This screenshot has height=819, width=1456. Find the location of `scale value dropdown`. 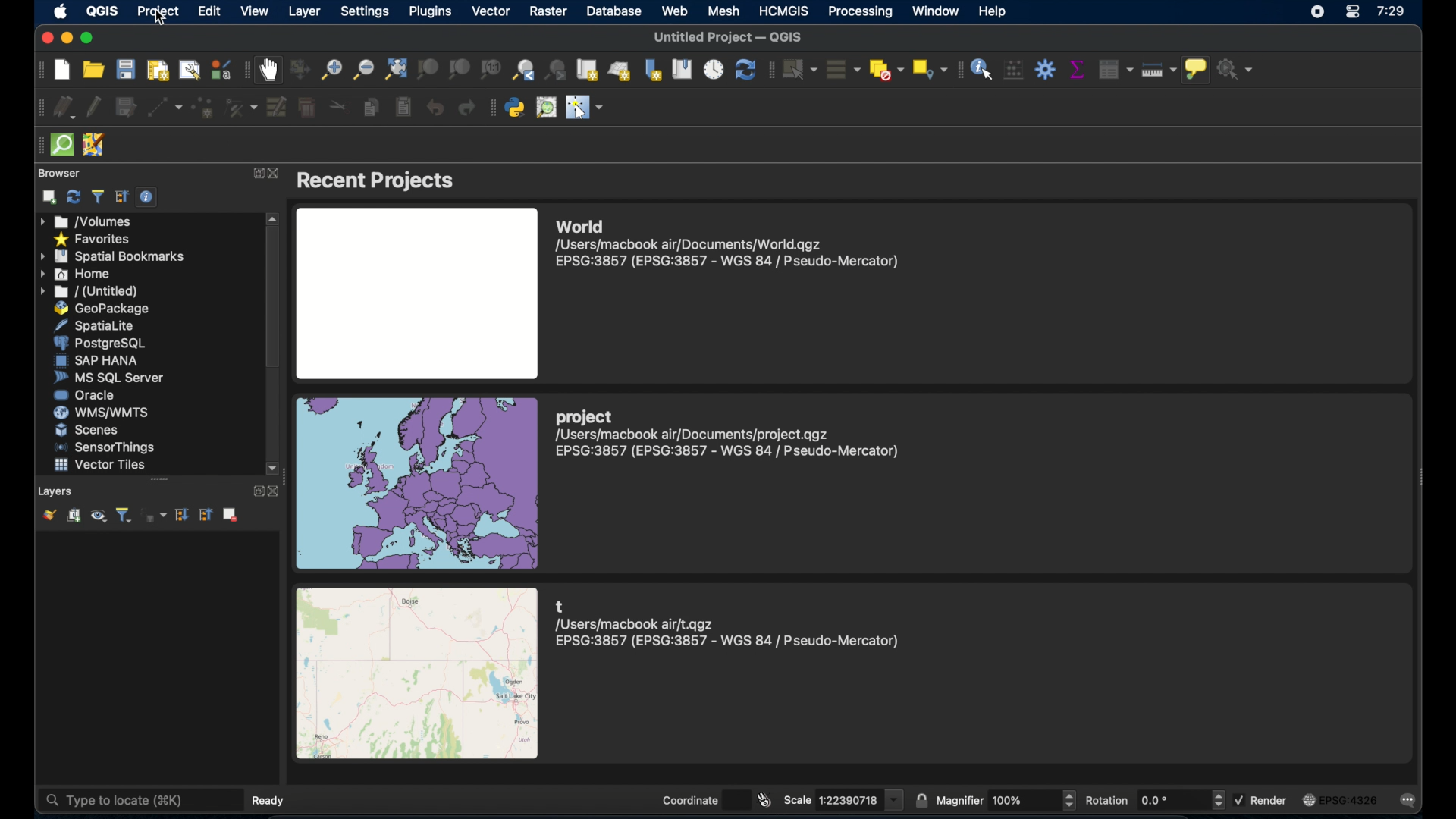

scale value dropdown is located at coordinates (895, 799).